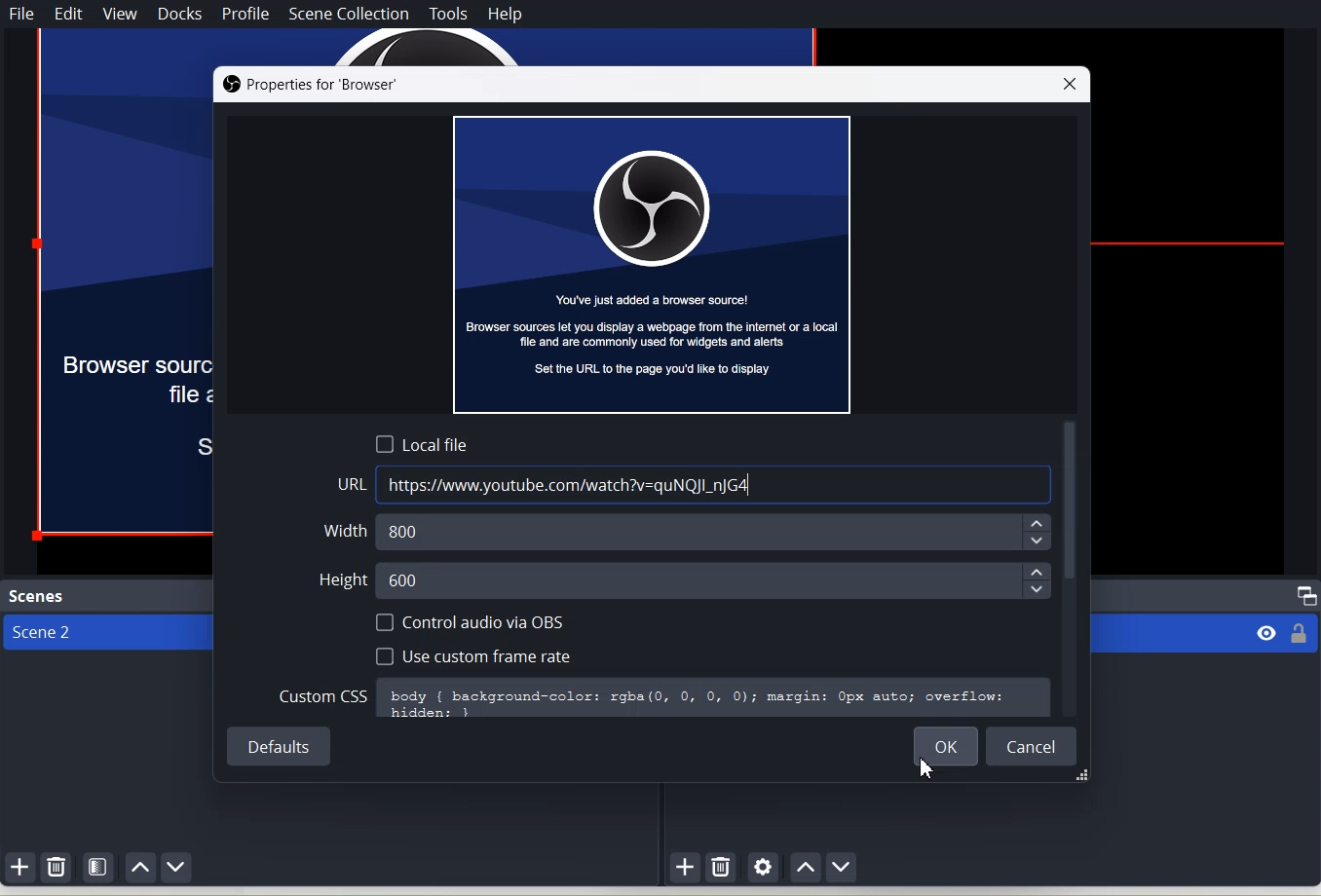 This screenshot has height=896, width=1321. Describe the element at coordinates (946, 745) in the screenshot. I see `OK` at that location.